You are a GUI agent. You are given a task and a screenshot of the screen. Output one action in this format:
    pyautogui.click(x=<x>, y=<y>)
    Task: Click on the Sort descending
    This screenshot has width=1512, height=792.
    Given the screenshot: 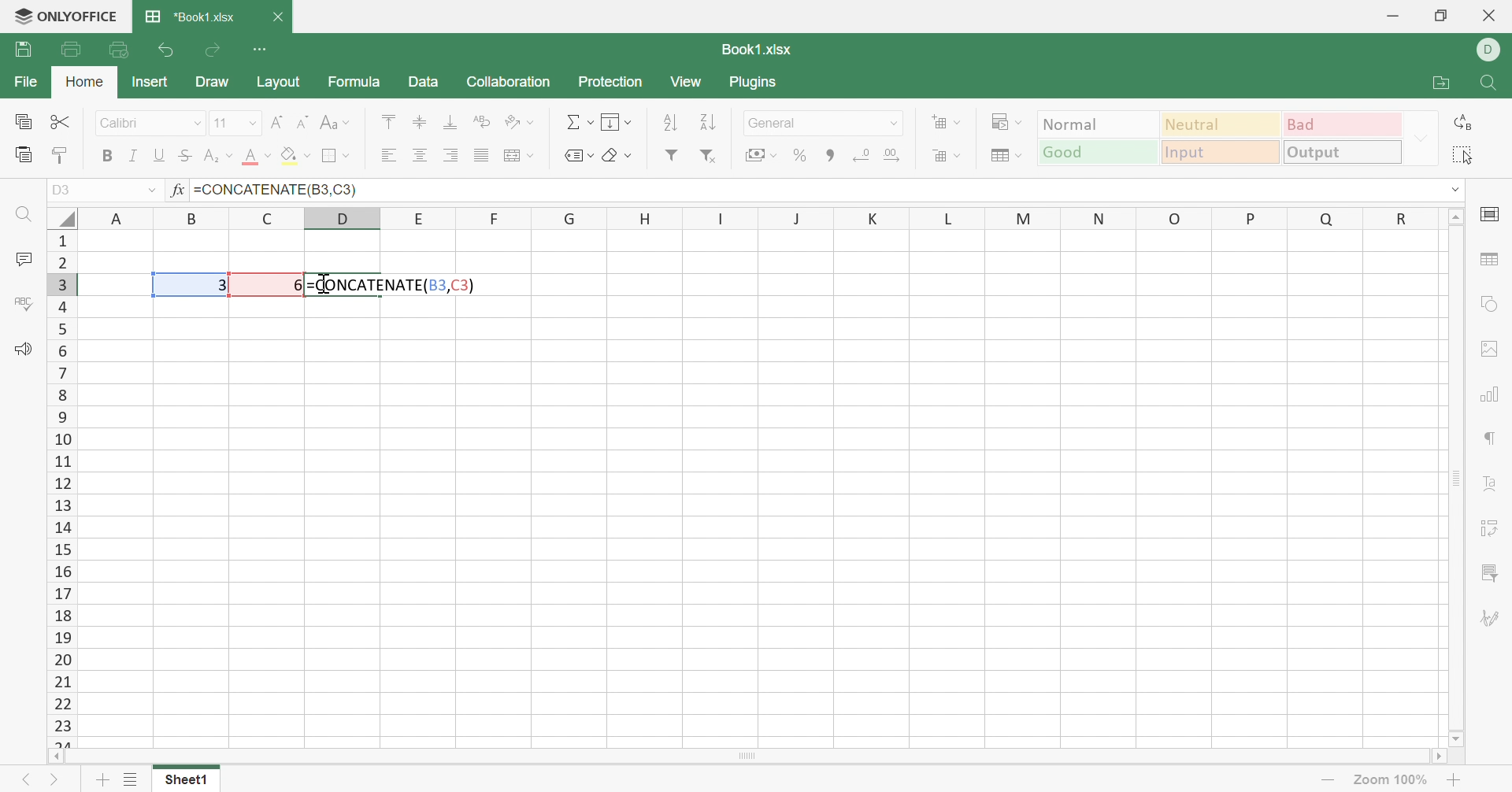 What is the action you would take?
    pyautogui.click(x=710, y=124)
    